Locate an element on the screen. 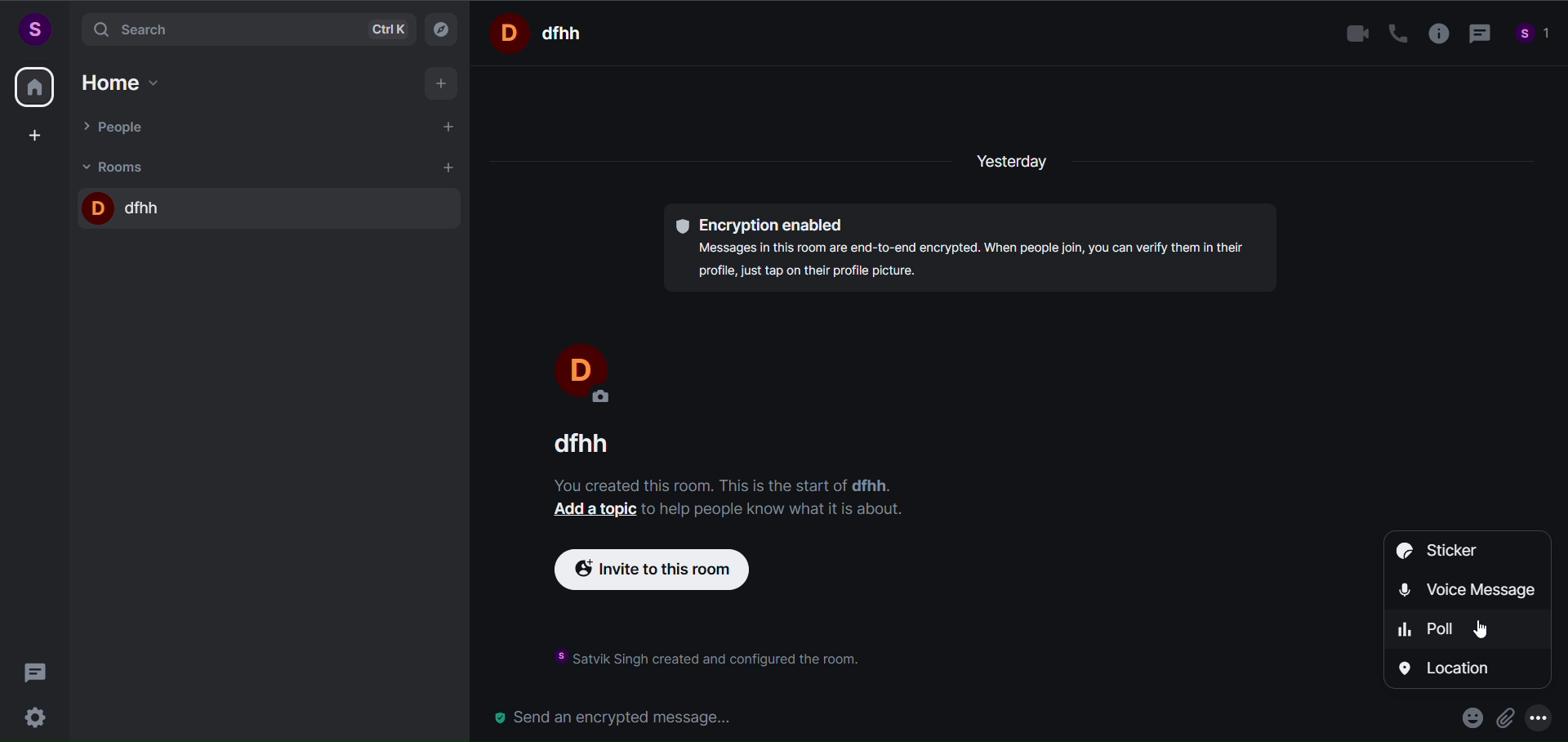  rooms is located at coordinates (118, 166).